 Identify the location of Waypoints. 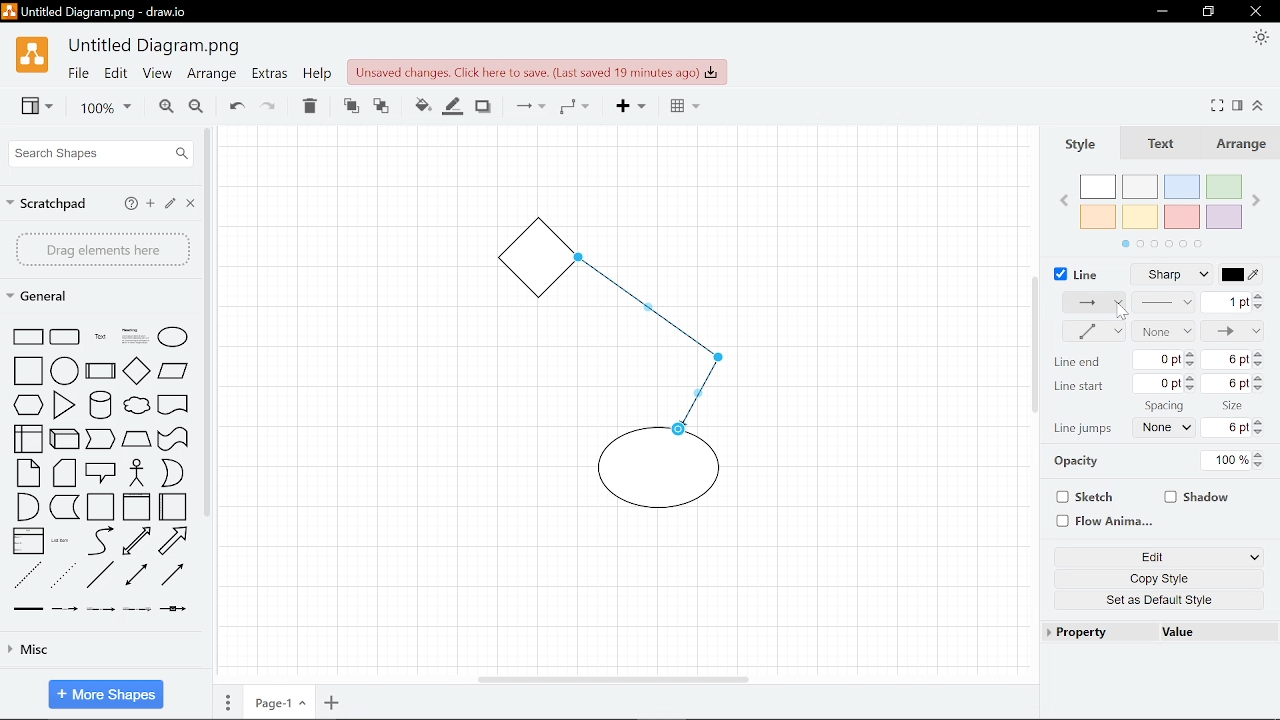
(574, 108).